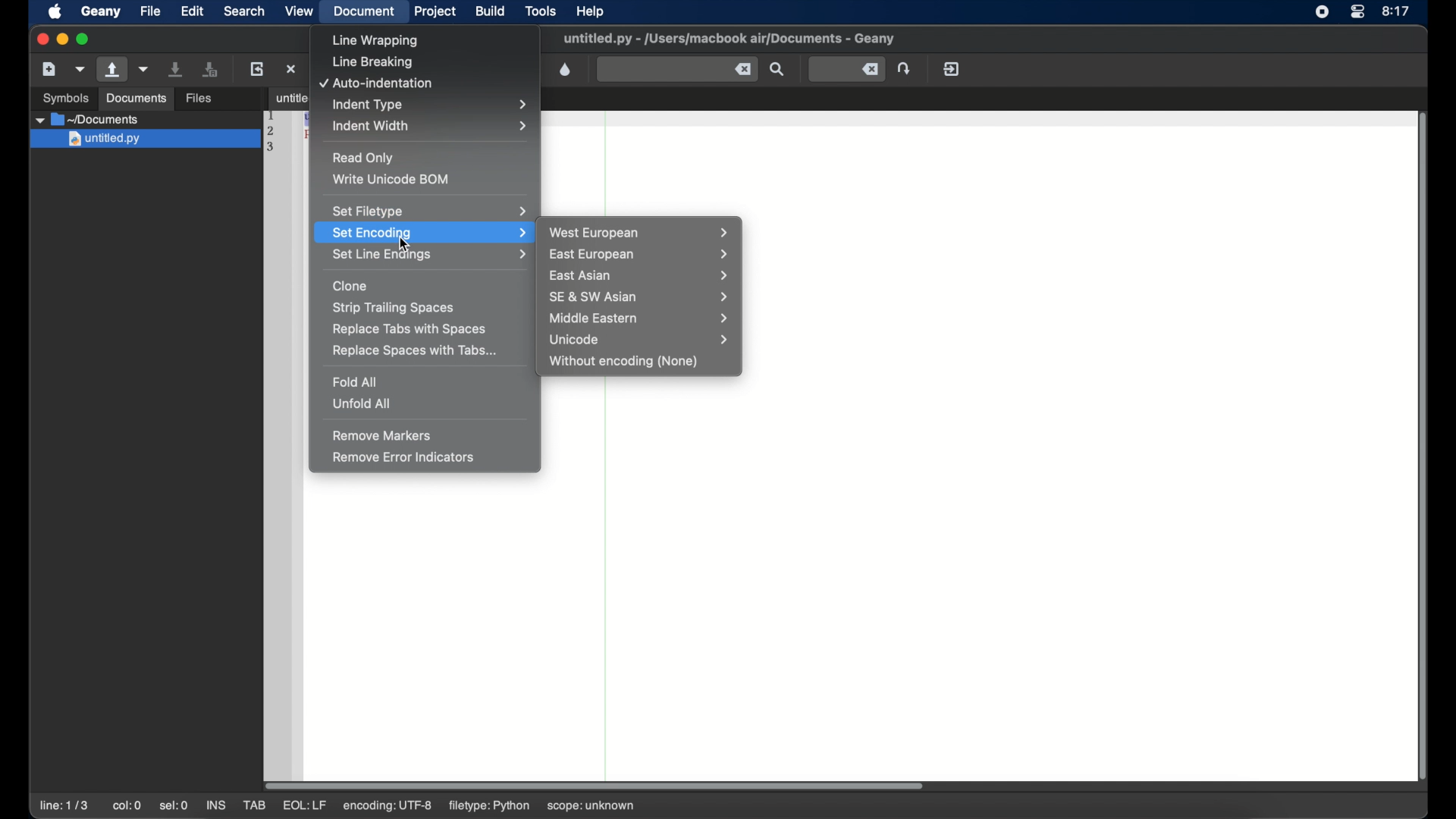 The width and height of the screenshot is (1456, 819). I want to click on symbols, so click(67, 98).